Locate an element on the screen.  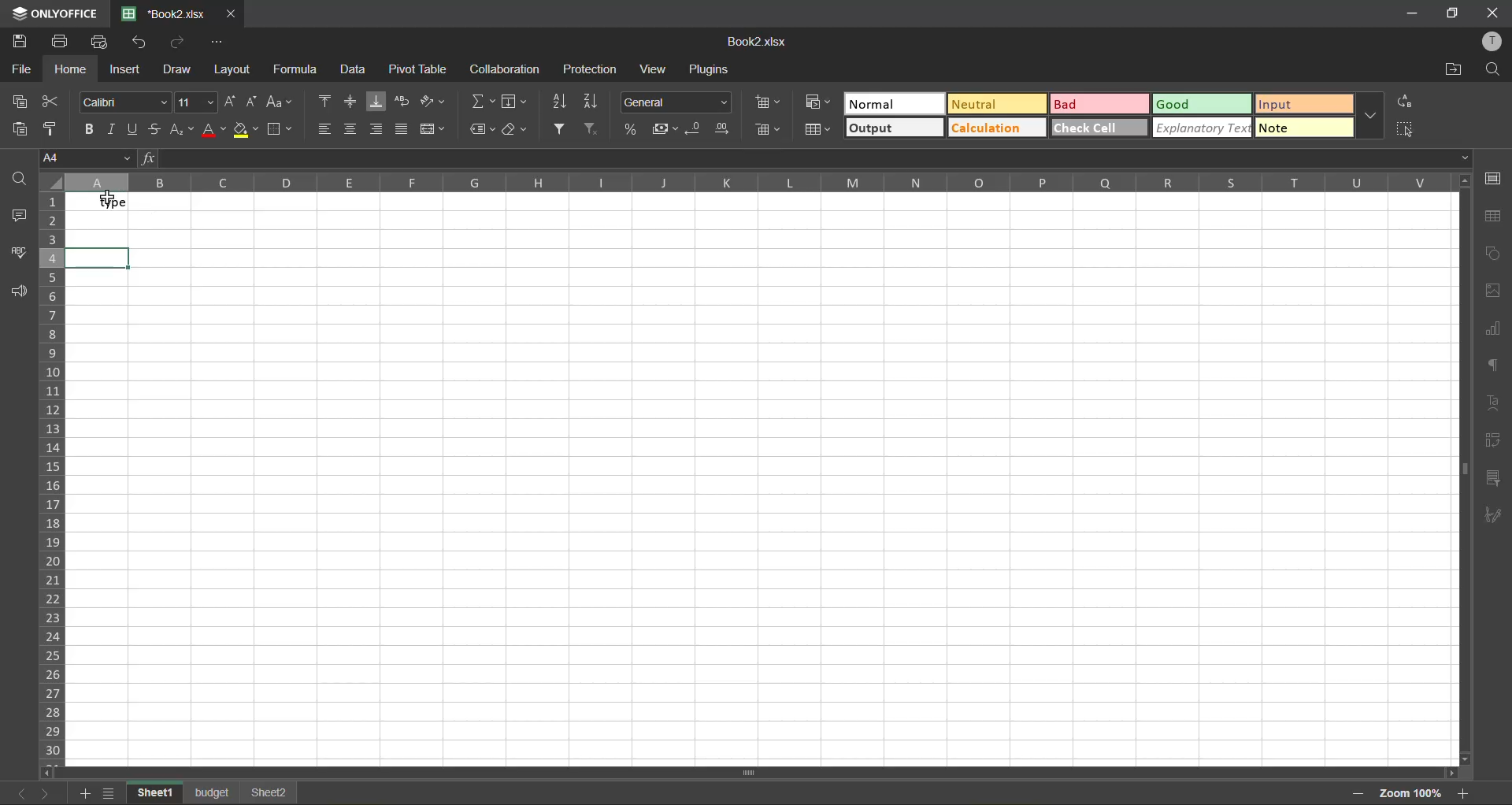
move right is located at coordinates (1449, 772).